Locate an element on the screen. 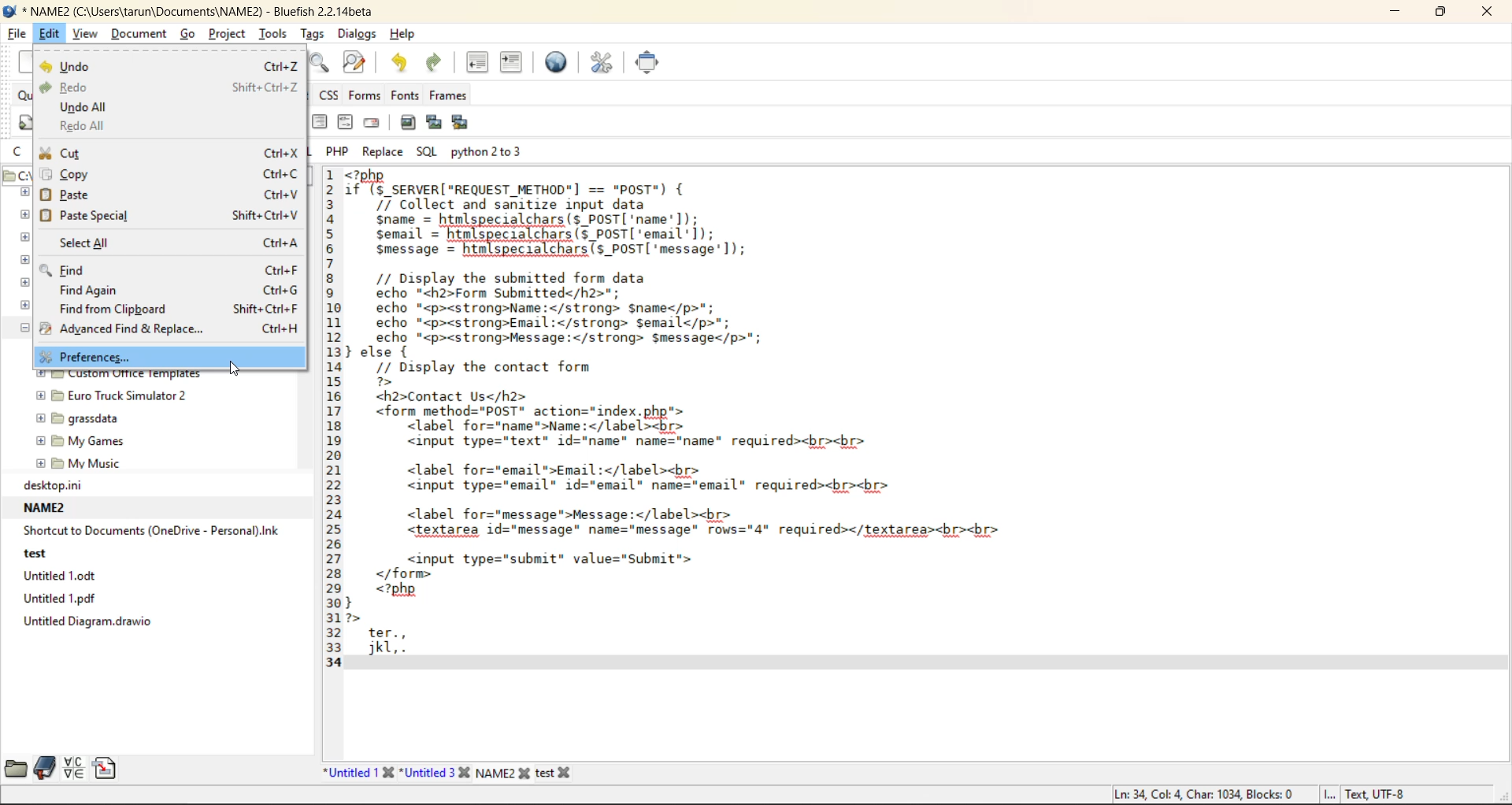 The image size is (1512, 805). fonts is located at coordinates (406, 95).